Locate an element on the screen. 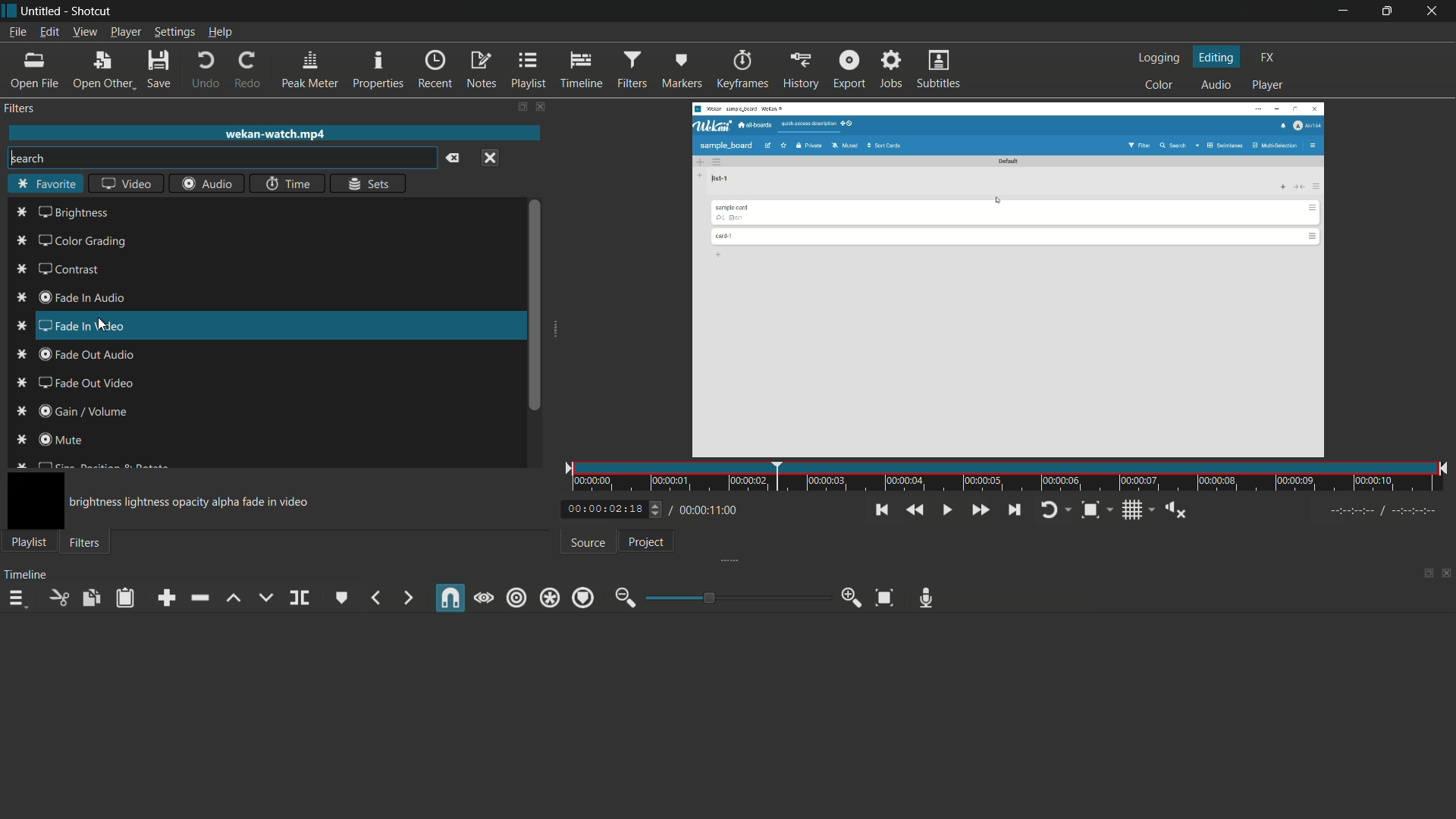  search is located at coordinates (221, 158).